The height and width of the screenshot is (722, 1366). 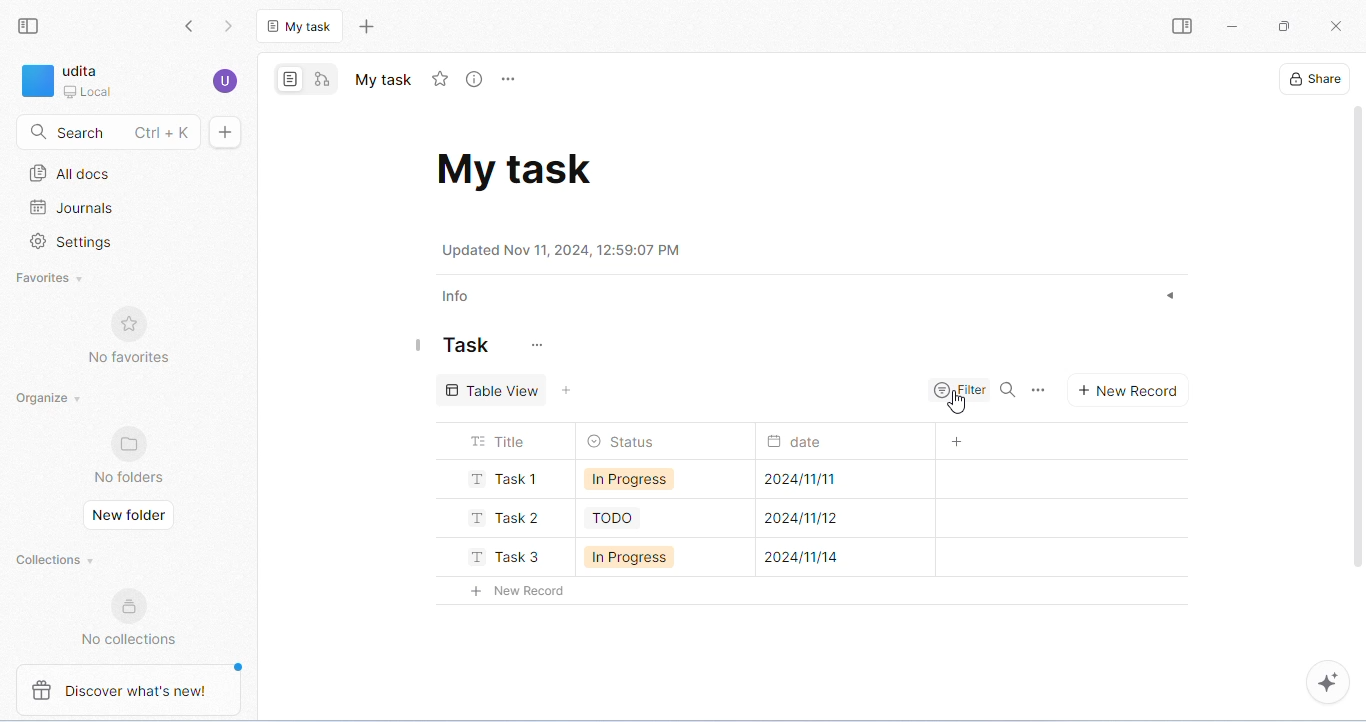 I want to click on info, so click(x=457, y=298).